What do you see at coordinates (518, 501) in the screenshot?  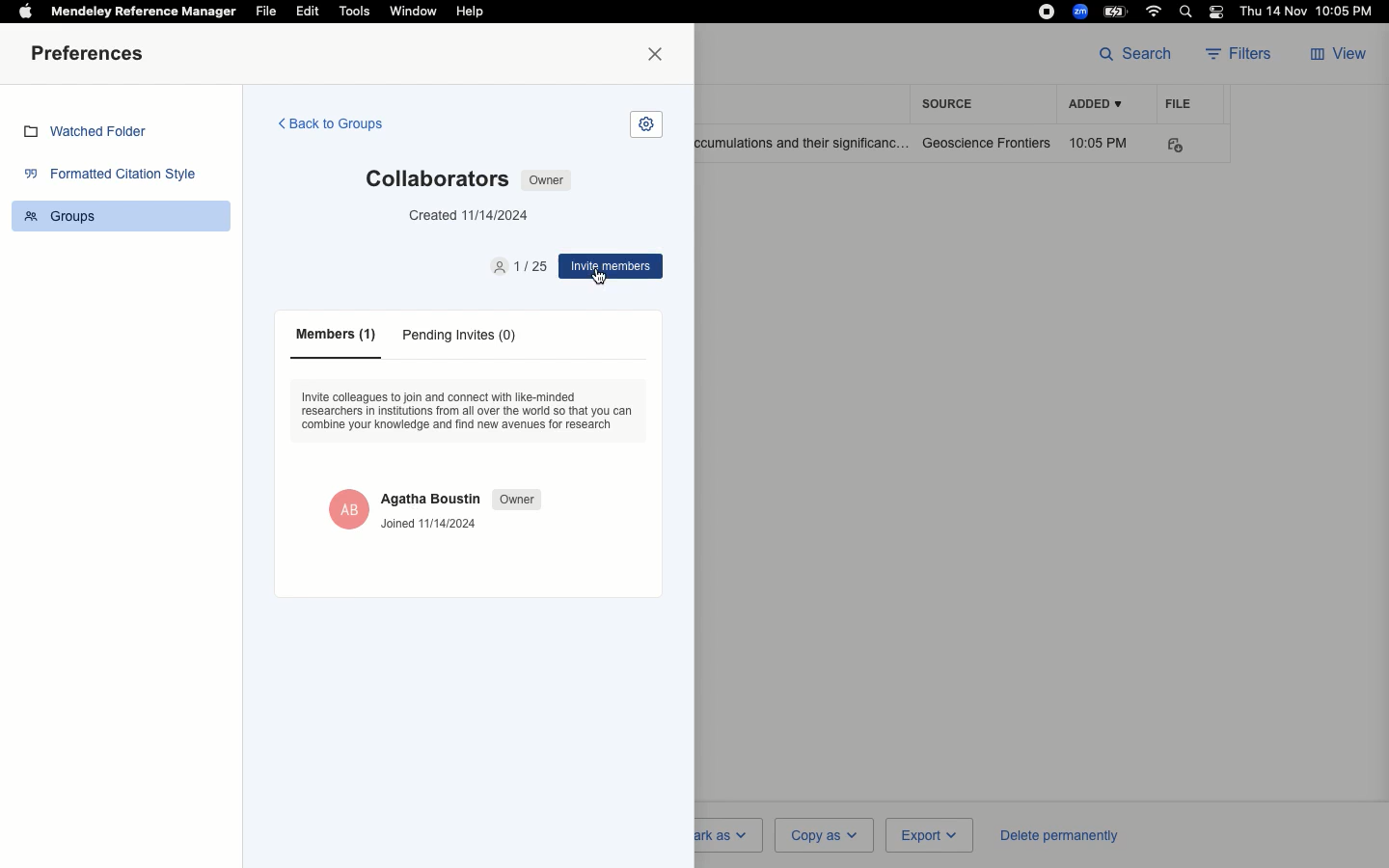 I see `Owner` at bounding box center [518, 501].